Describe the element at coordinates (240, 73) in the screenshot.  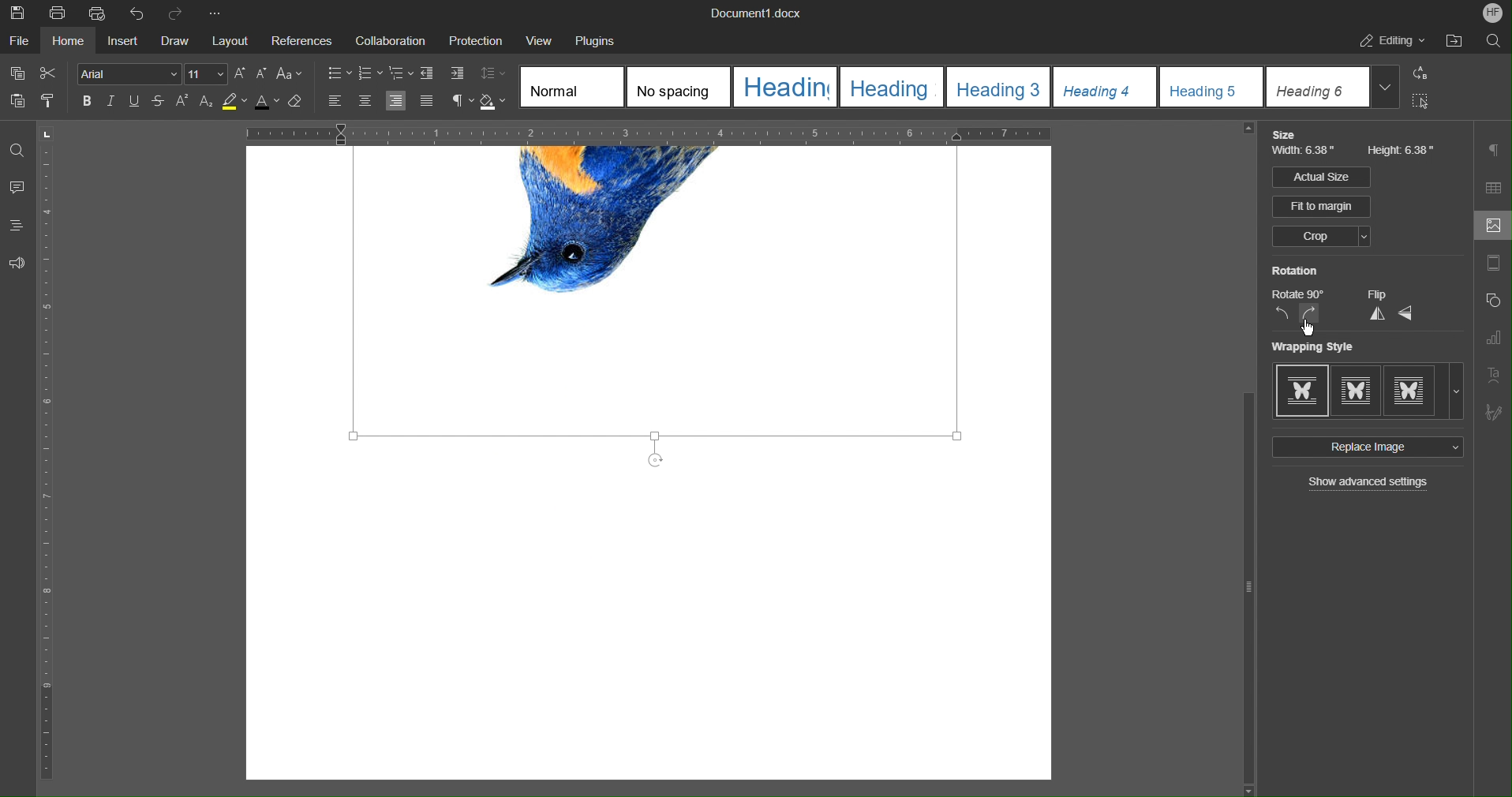
I see `Increase Font Size` at that location.